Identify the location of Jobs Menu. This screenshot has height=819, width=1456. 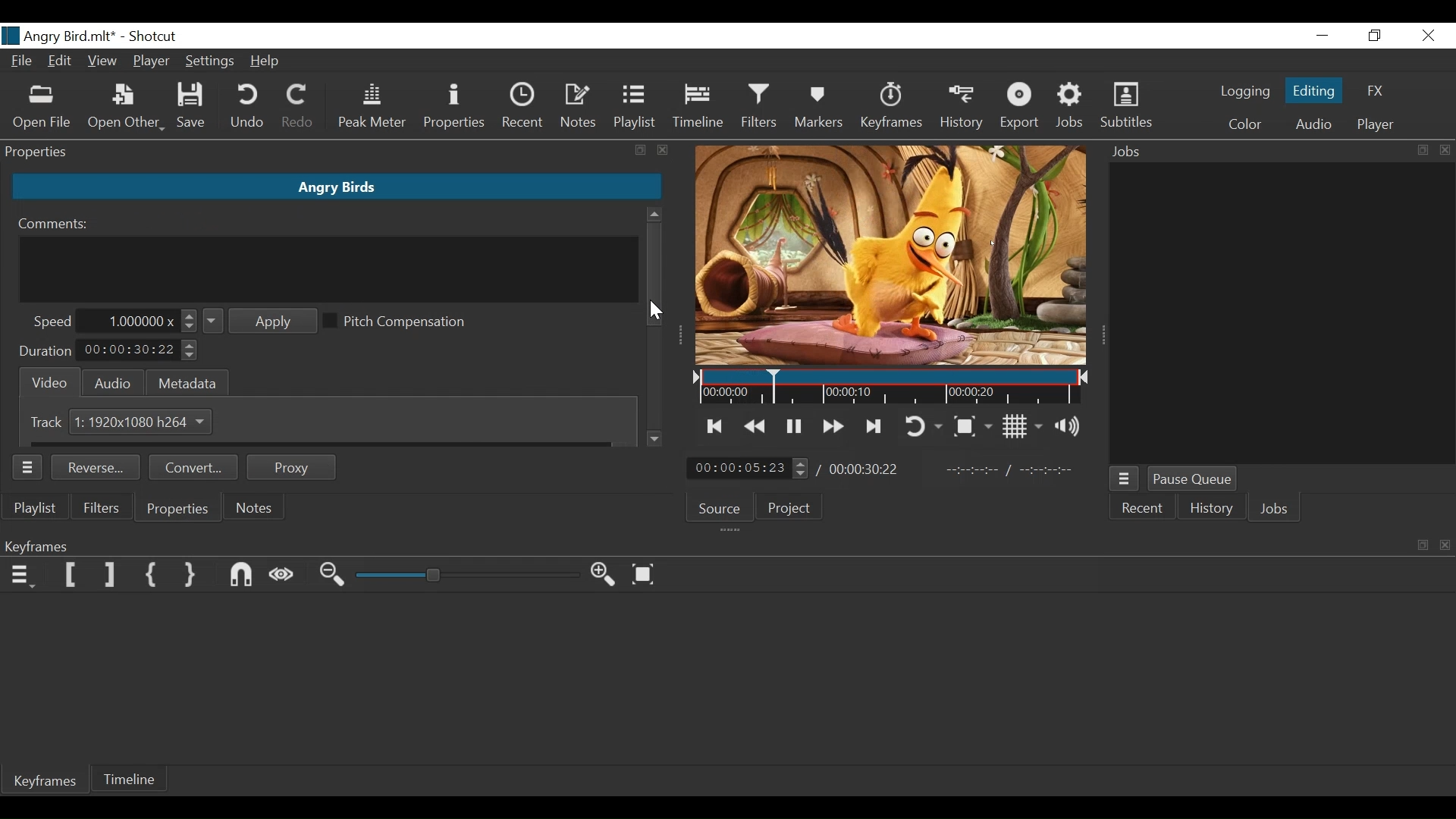
(1125, 481).